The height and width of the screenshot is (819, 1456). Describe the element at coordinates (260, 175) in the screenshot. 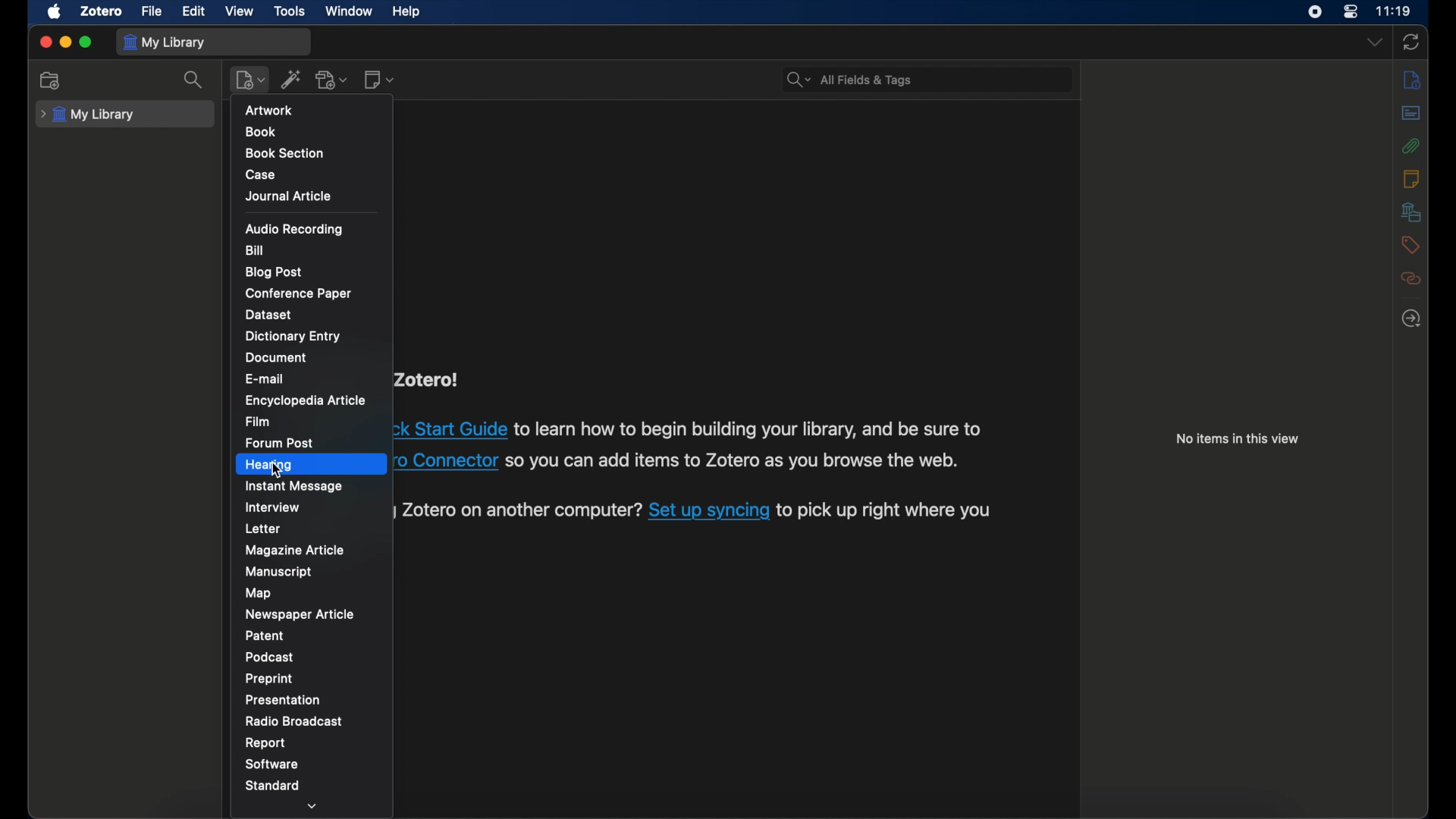

I see `case` at that location.